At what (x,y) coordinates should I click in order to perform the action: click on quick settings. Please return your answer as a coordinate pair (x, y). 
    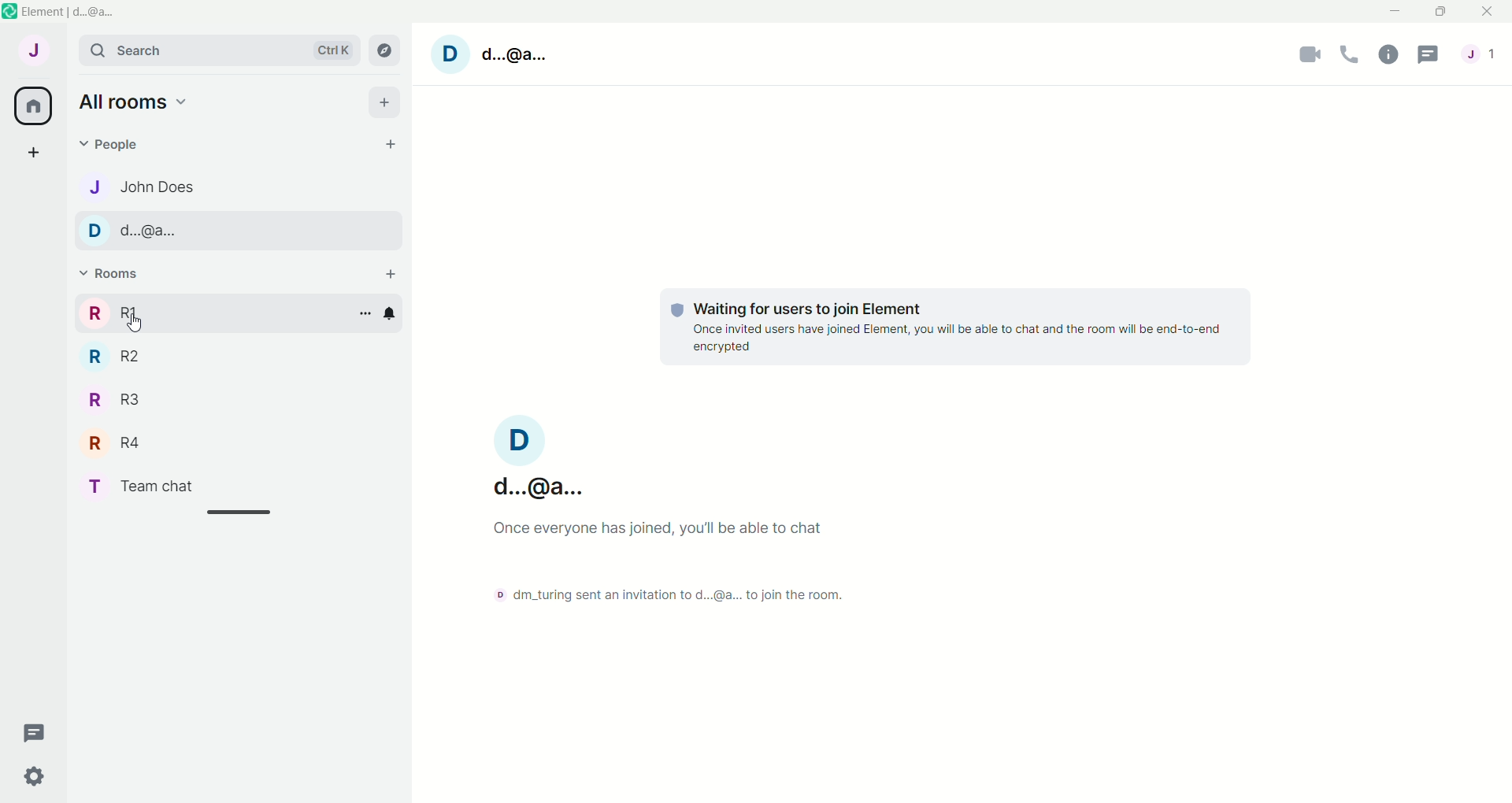
    Looking at the image, I should click on (40, 774).